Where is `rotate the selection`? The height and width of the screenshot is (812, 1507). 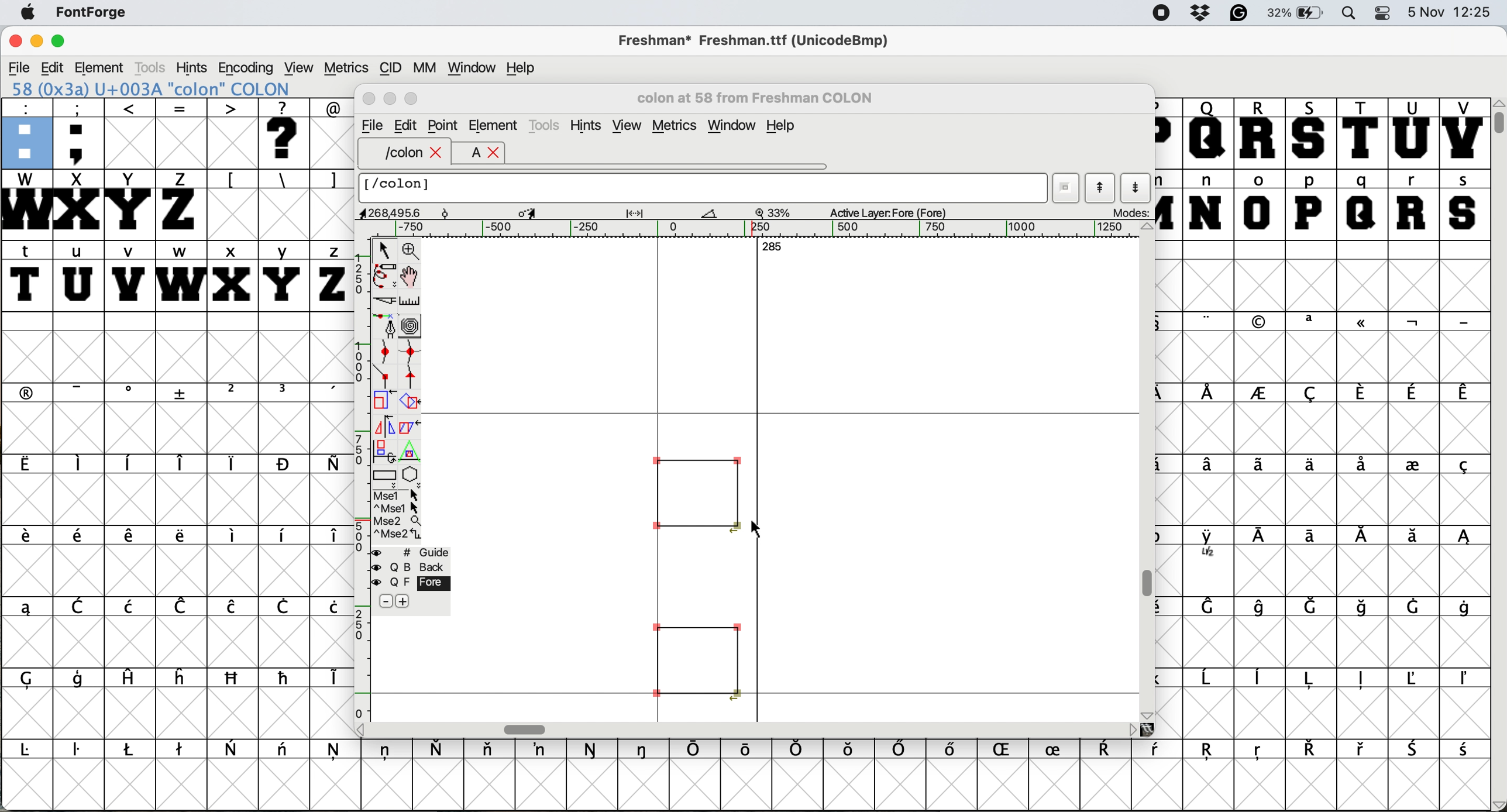 rotate the selection is located at coordinates (412, 404).